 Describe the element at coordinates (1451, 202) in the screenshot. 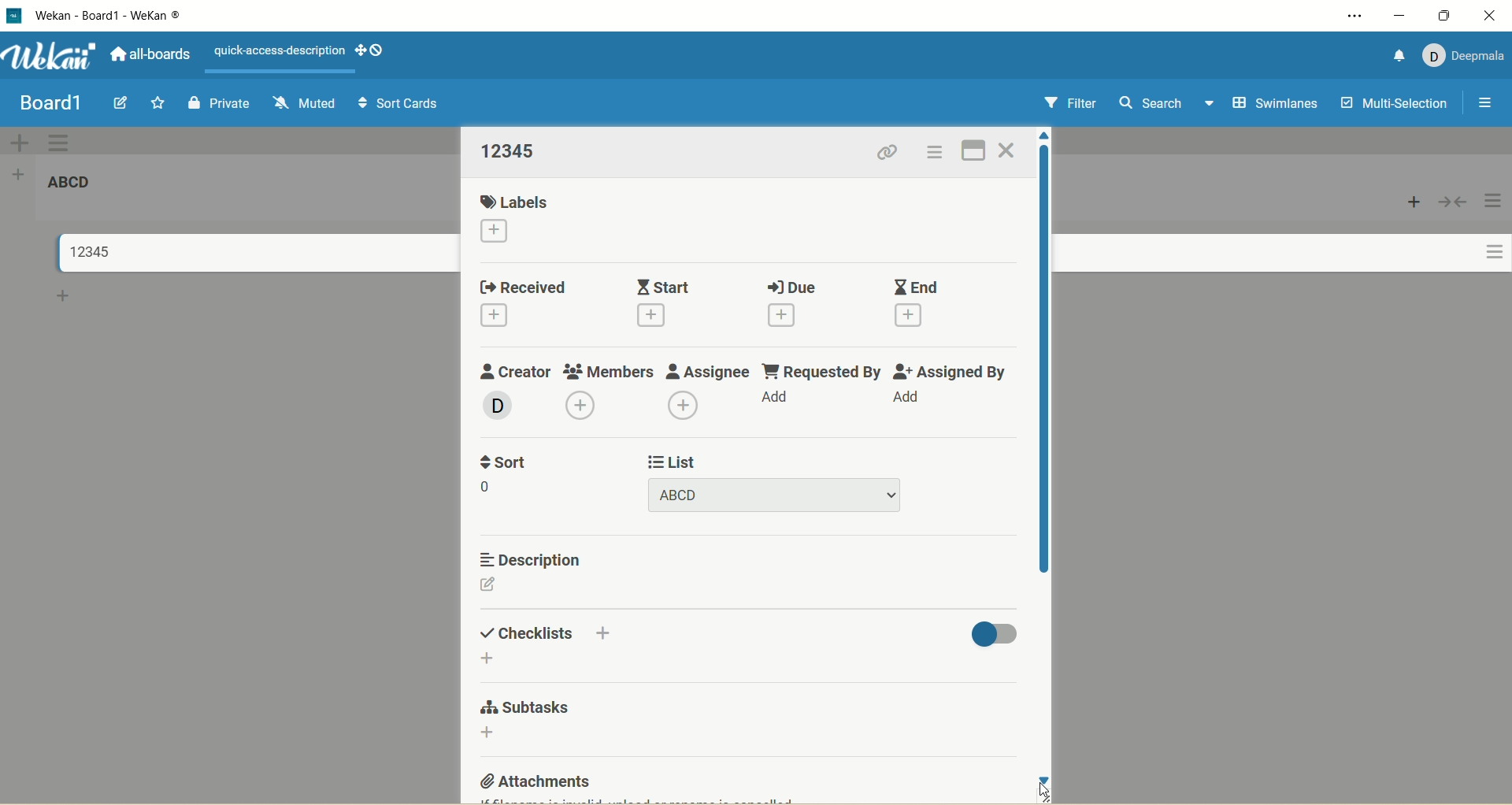

I see `collapse` at that location.